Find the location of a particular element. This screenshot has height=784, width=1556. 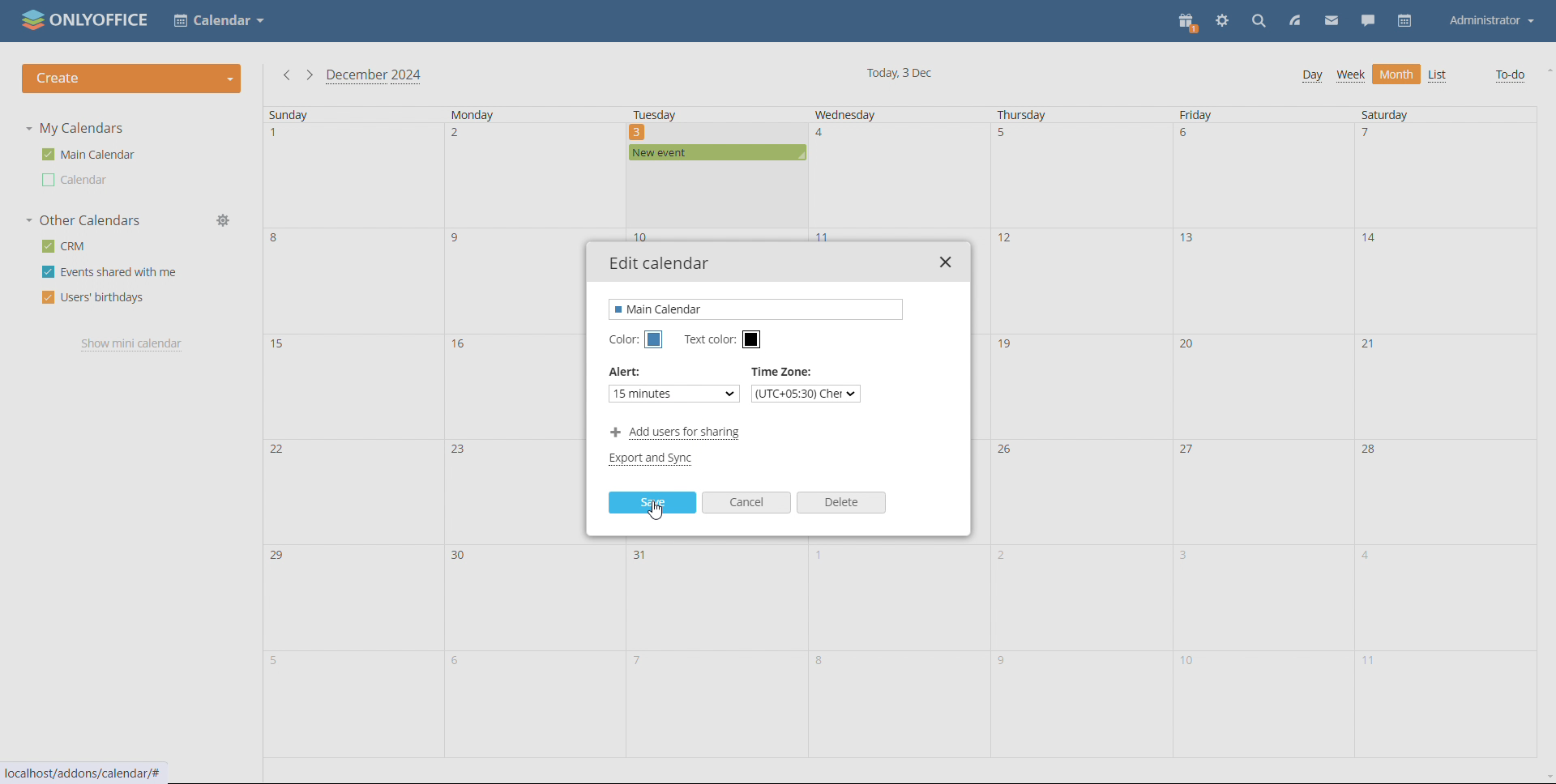

list view is located at coordinates (1438, 75).